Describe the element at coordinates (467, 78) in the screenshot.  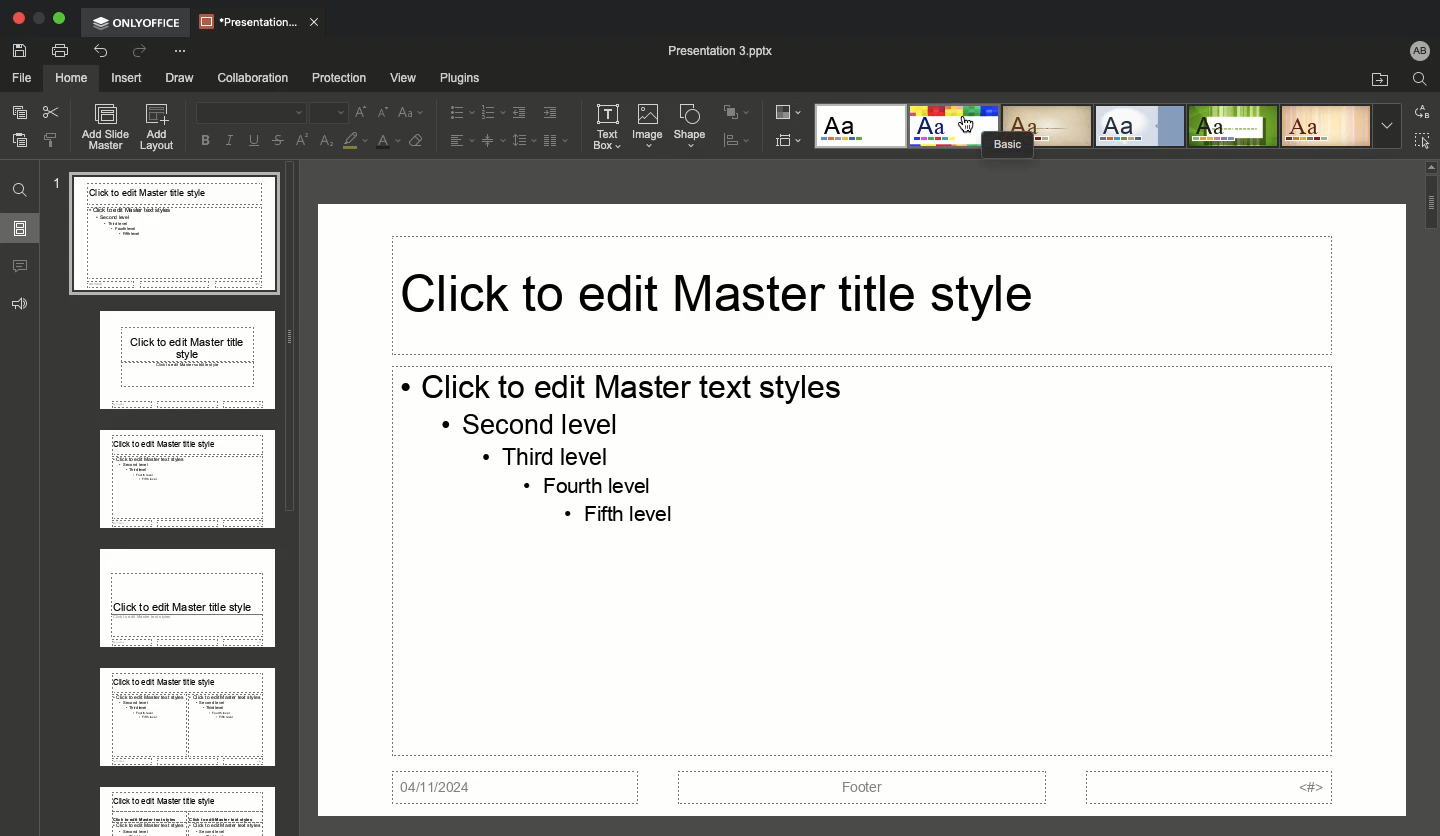
I see `Plugins` at that location.